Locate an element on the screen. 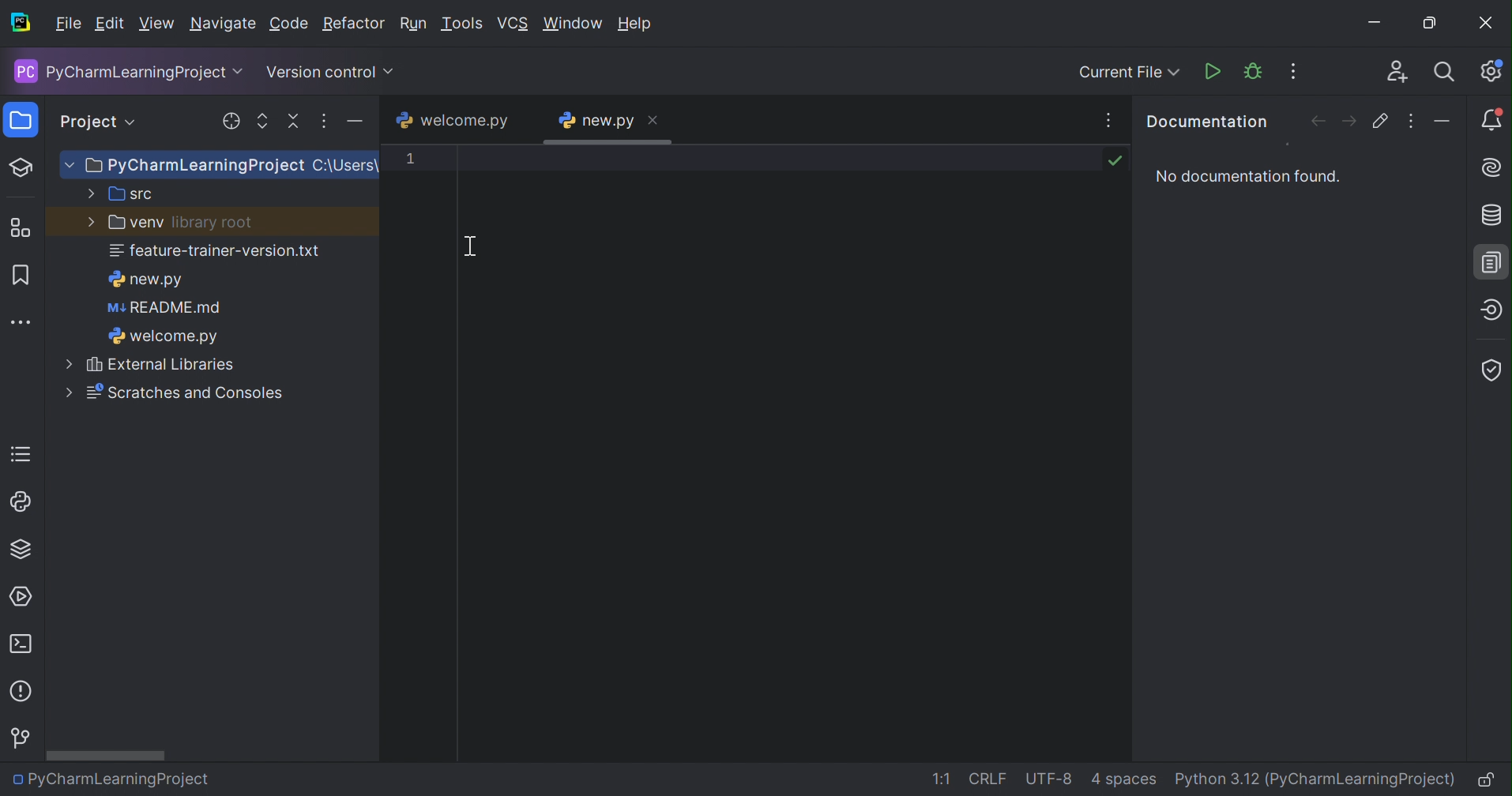 The image size is (1512, 796). new.py is located at coordinates (145, 280).